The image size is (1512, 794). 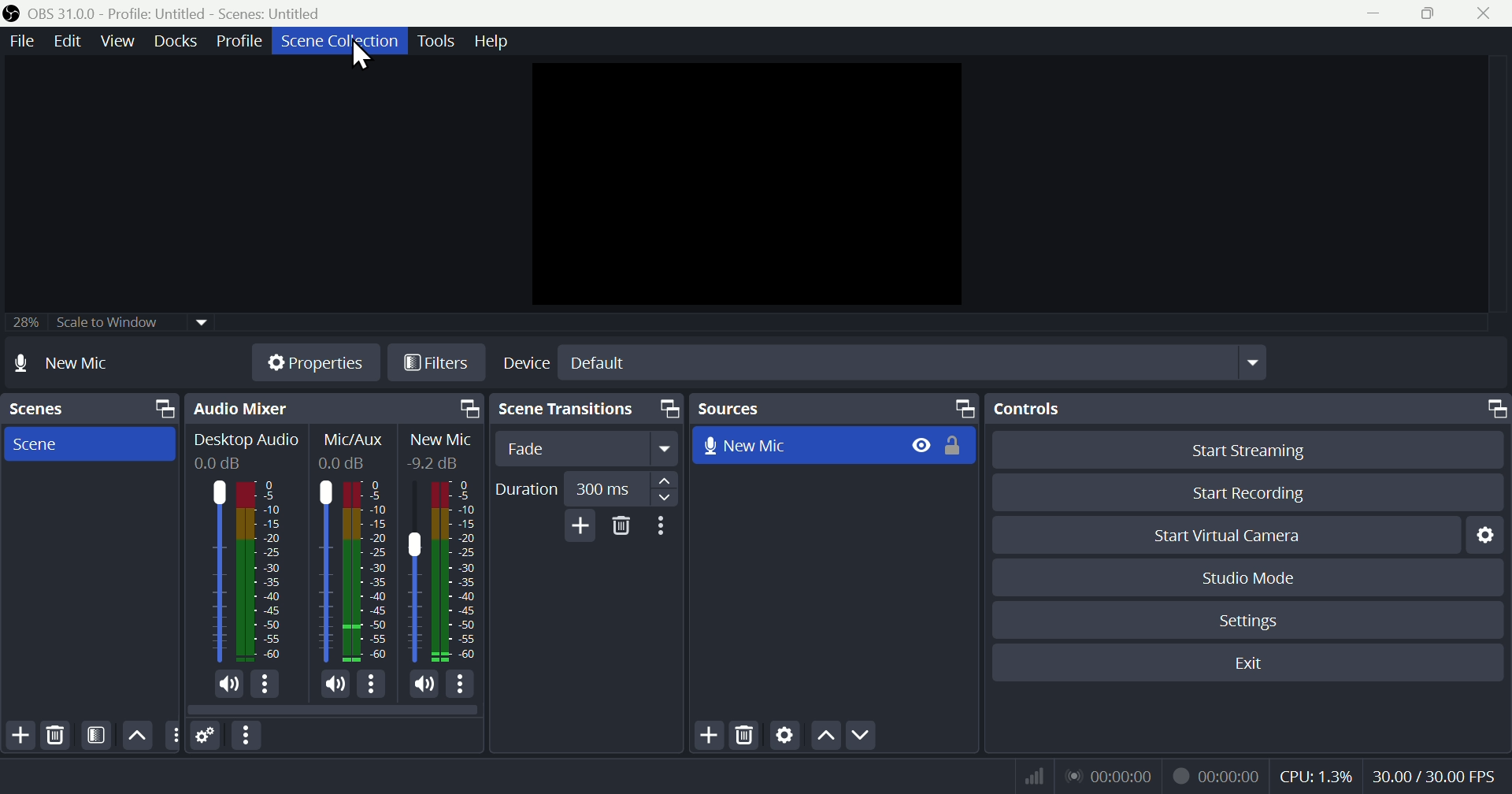 I want to click on start virtual camera, so click(x=1215, y=536).